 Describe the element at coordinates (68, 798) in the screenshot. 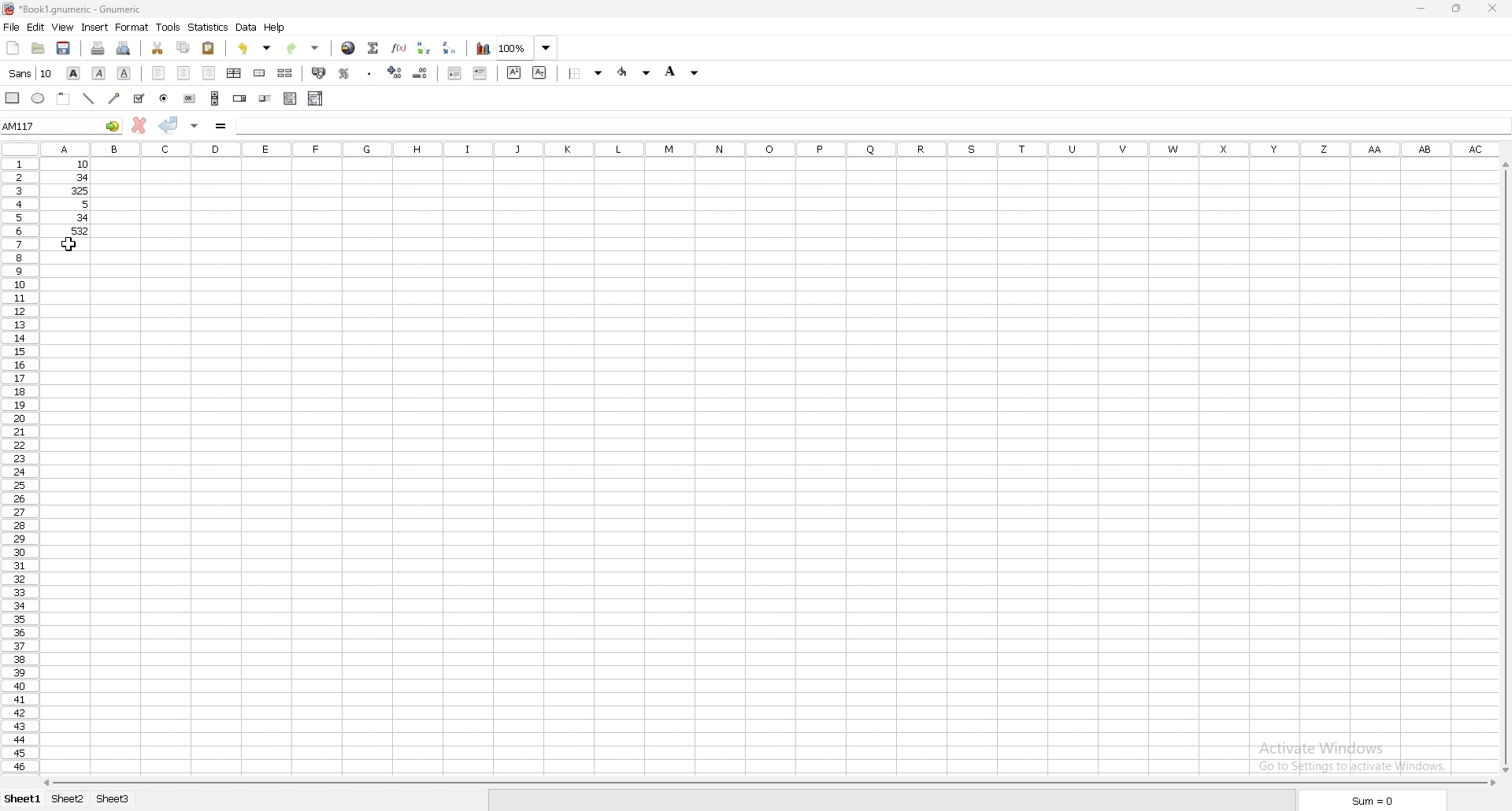

I see `sheet 2` at that location.